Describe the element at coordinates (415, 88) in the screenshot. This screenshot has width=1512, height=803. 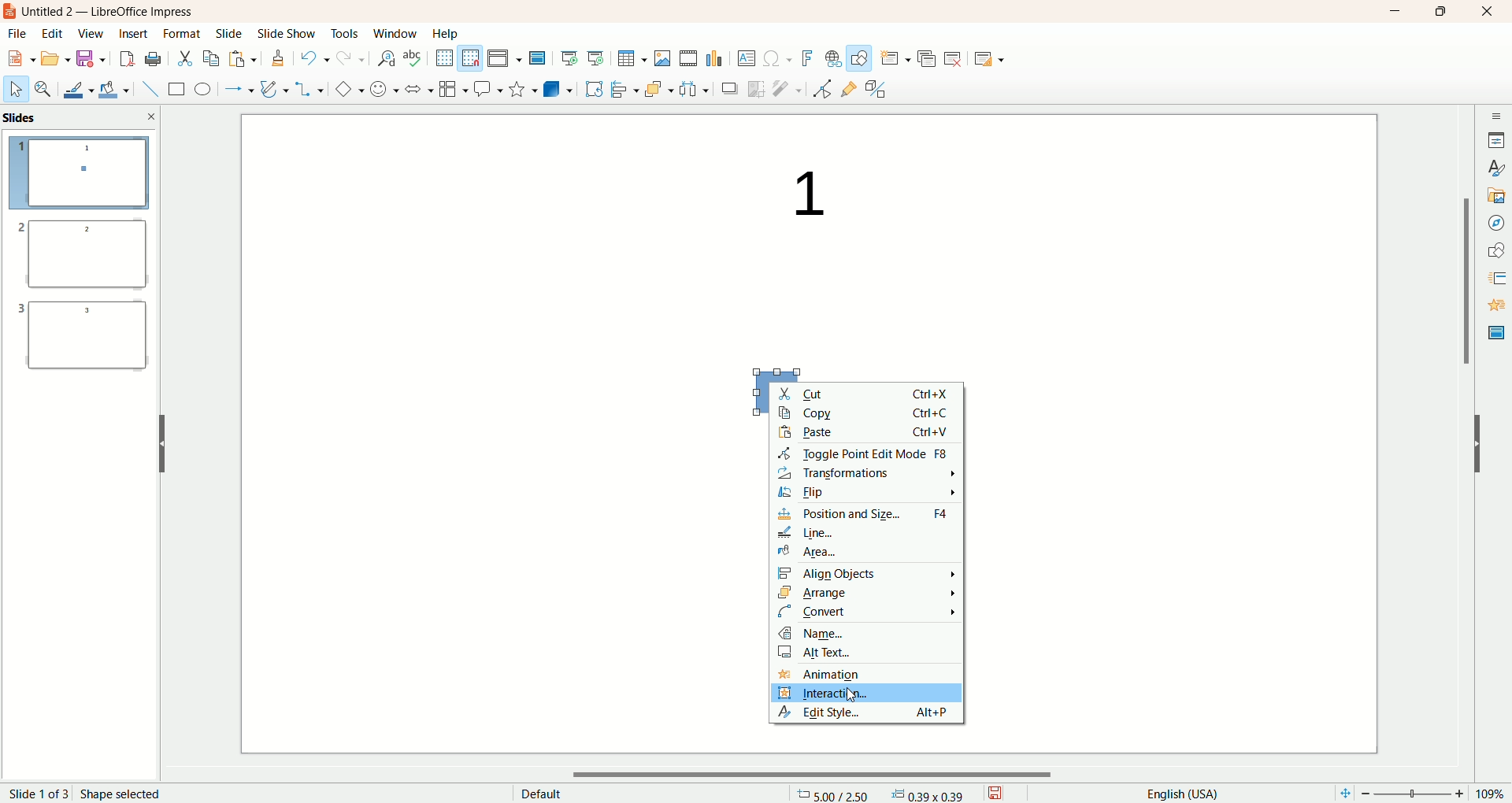
I see `block arrow` at that location.